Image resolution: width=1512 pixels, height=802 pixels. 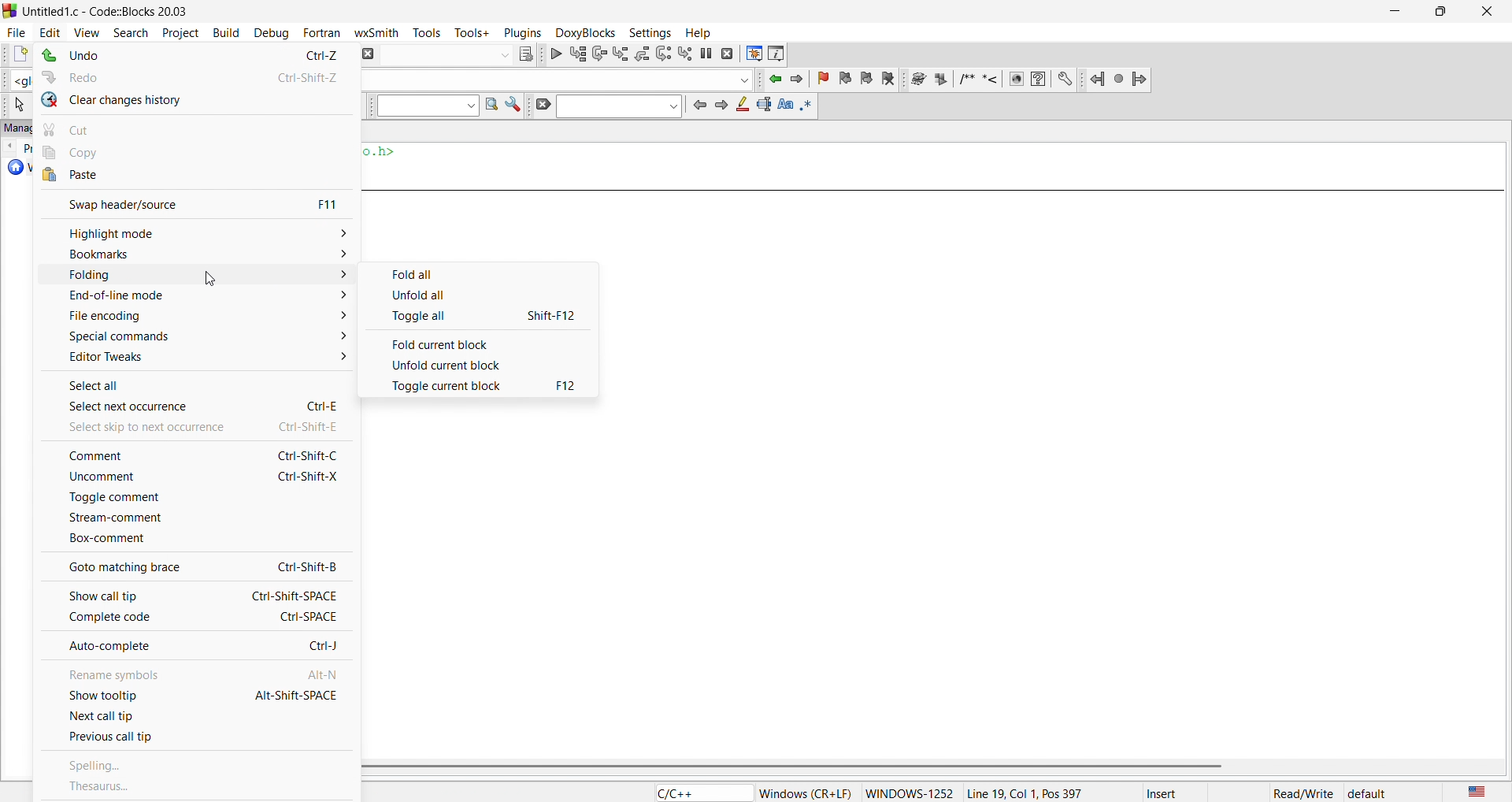 I want to click on help, so click(x=1038, y=79).